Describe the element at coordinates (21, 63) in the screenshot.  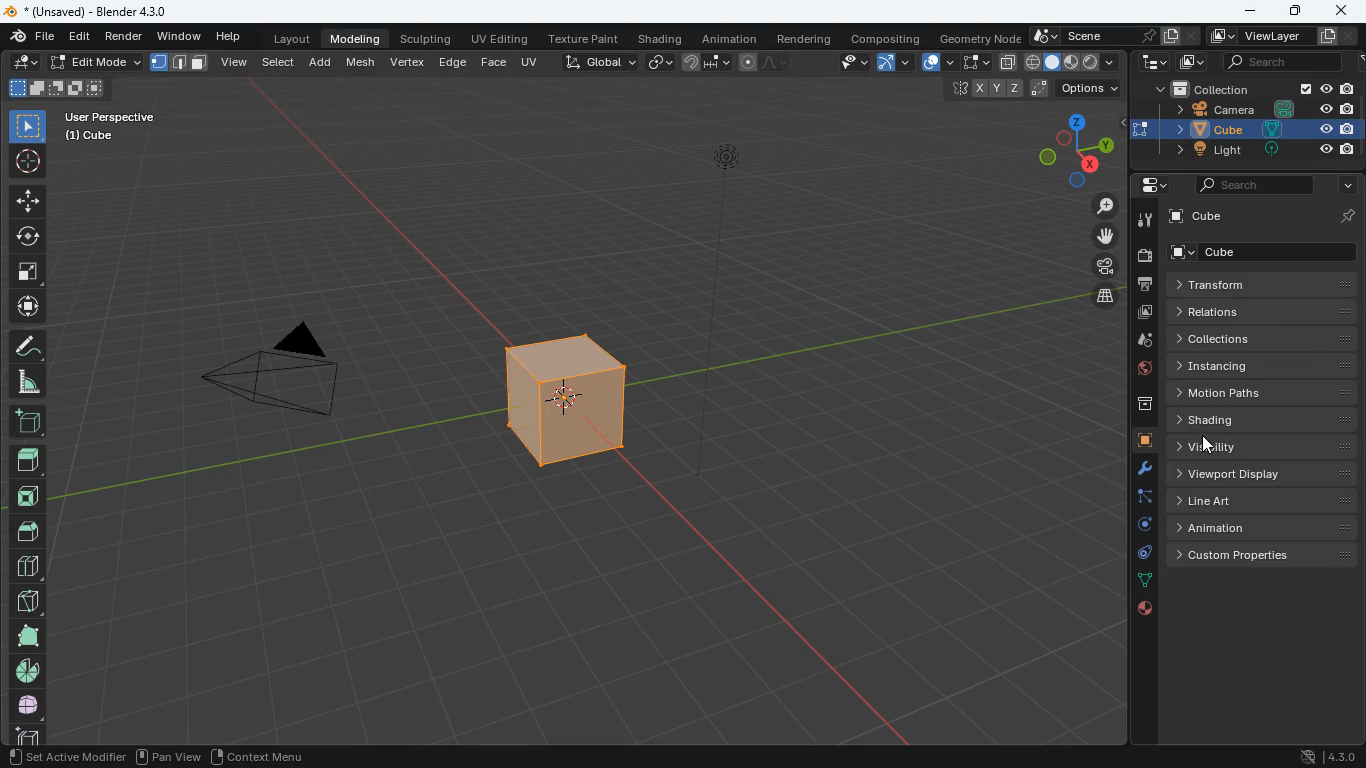
I see `edit` at that location.